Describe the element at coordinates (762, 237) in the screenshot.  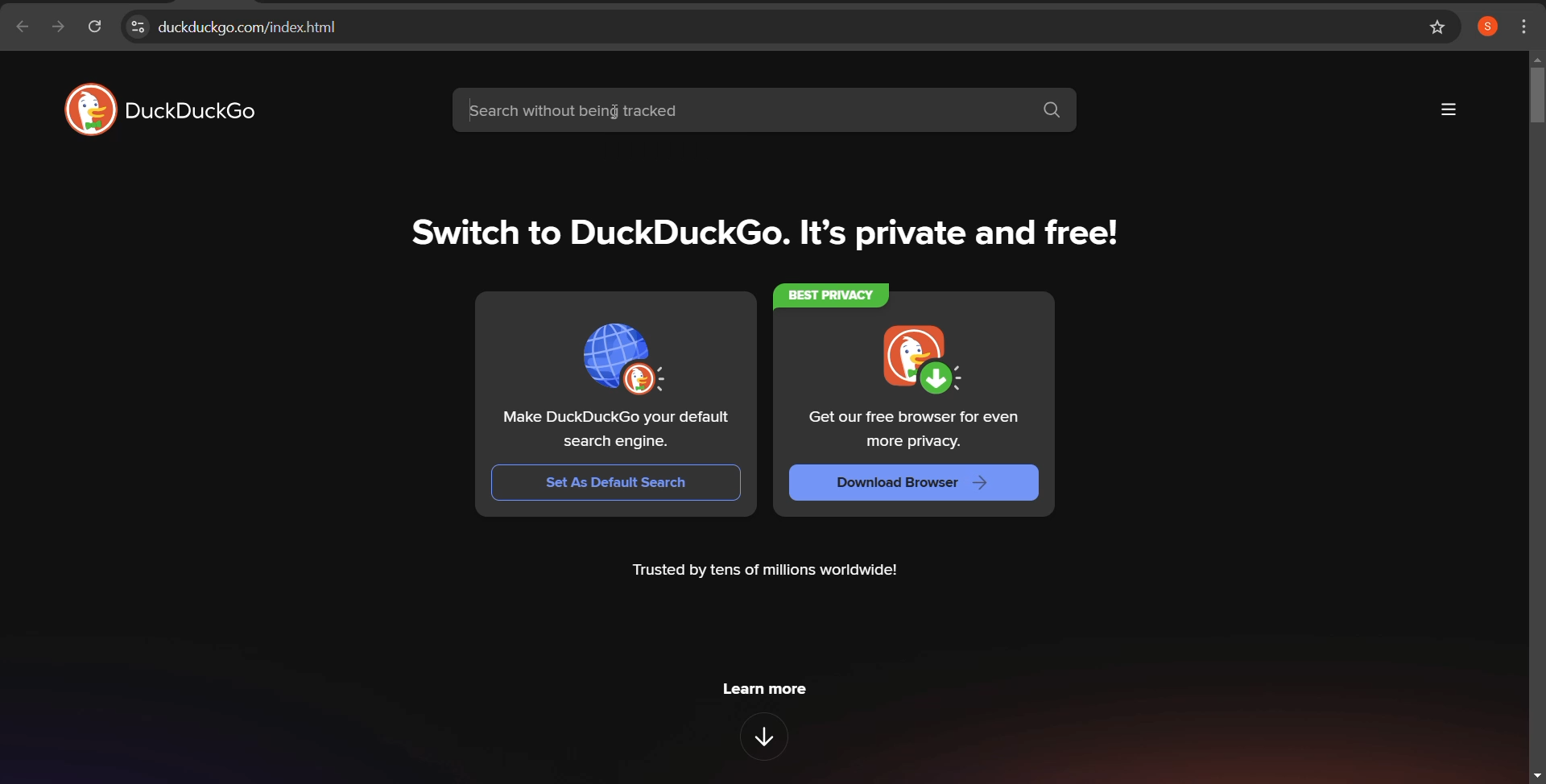
I see `Switch to DuckDuckGo. It’s private and free!` at that location.